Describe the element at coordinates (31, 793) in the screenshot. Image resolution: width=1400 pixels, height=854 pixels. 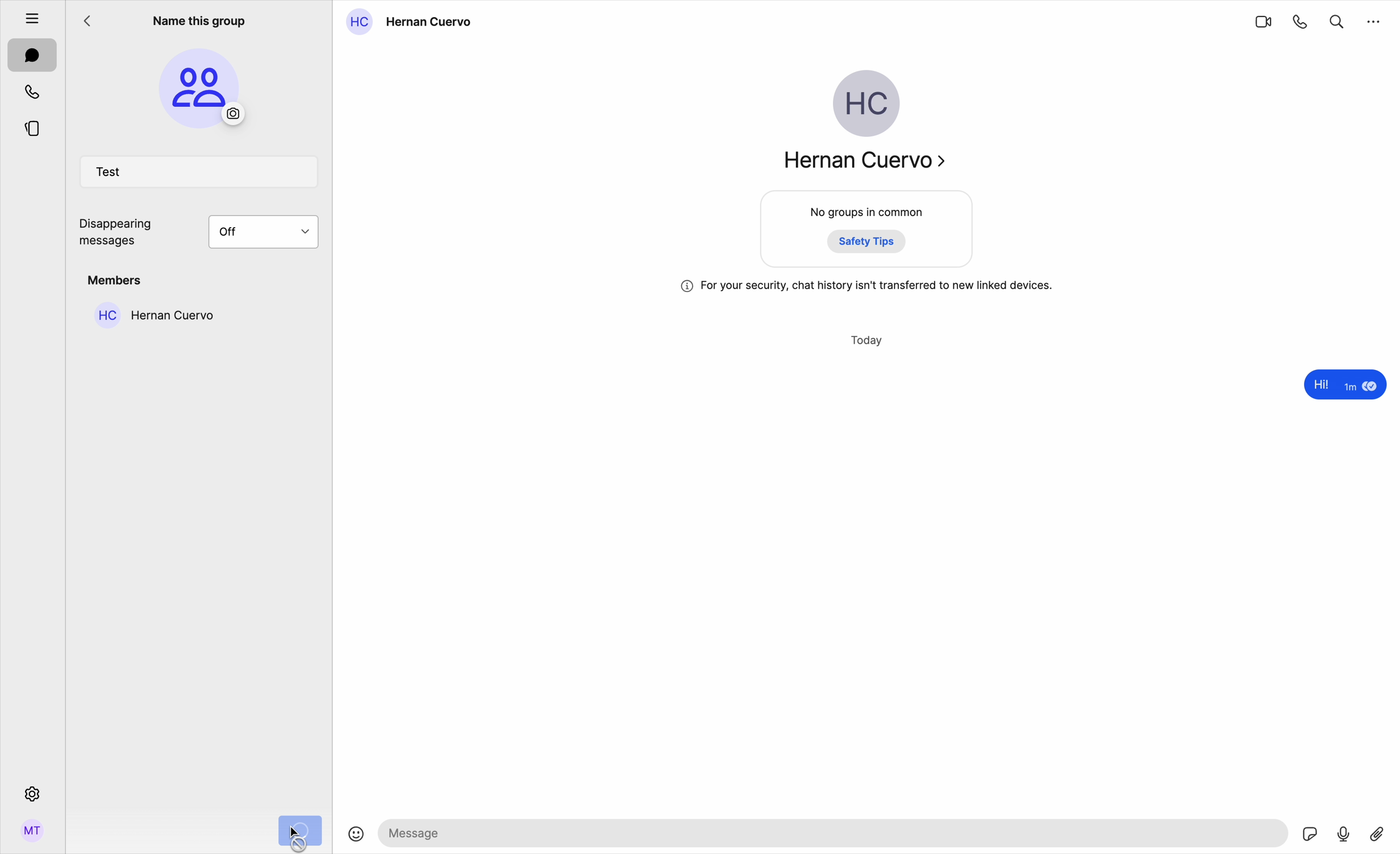
I see `settings` at that location.